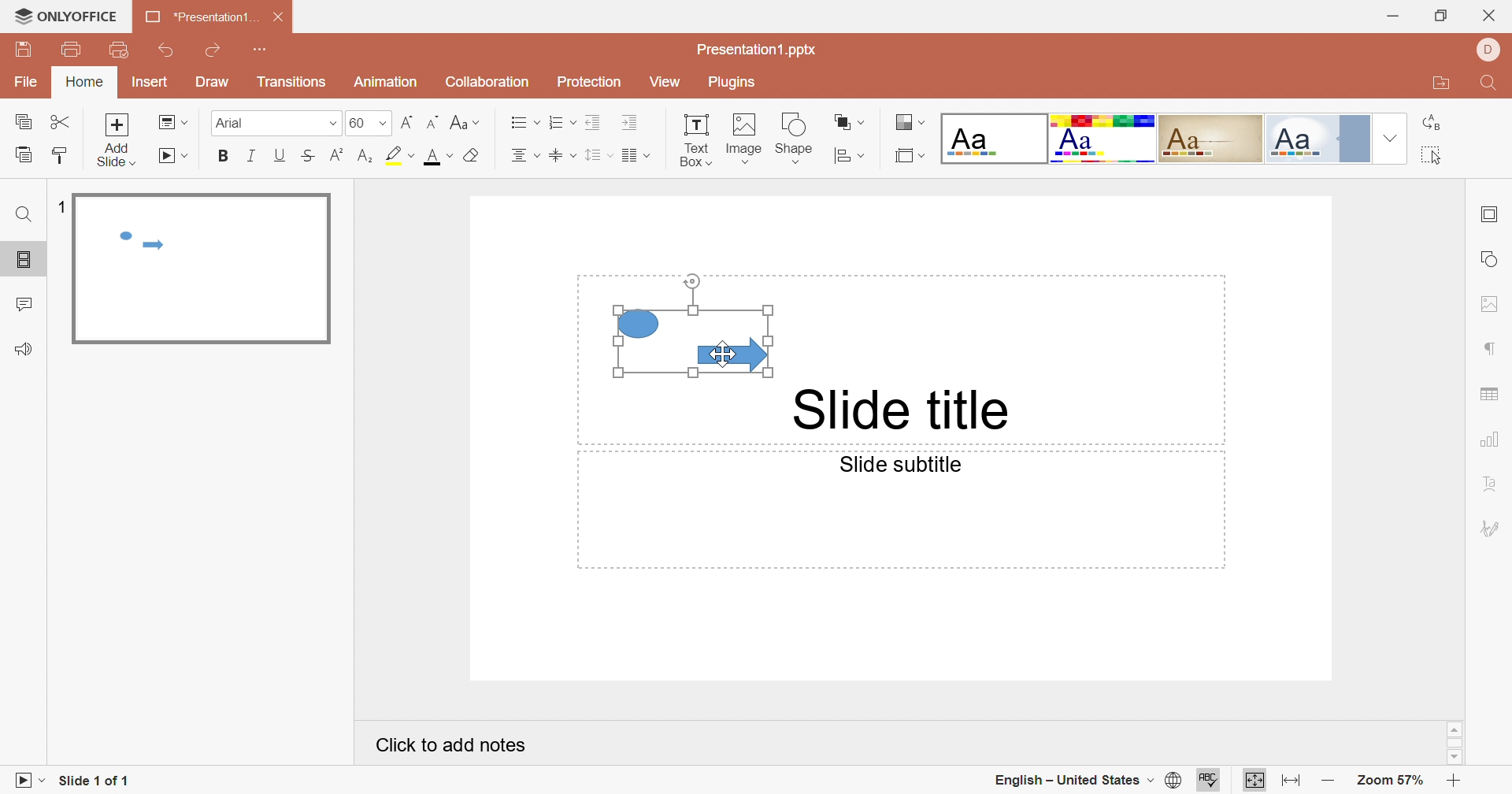 The width and height of the screenshot is (1512, 794). I want to click on Drop Down, so click(1388, 137).